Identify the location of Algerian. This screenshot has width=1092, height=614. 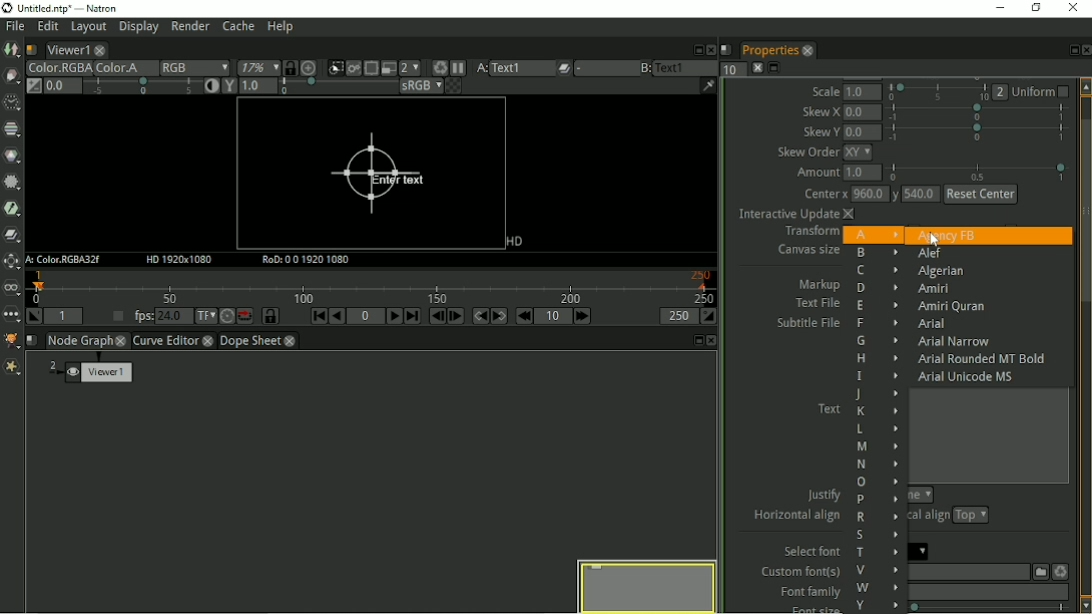
(941, 272).